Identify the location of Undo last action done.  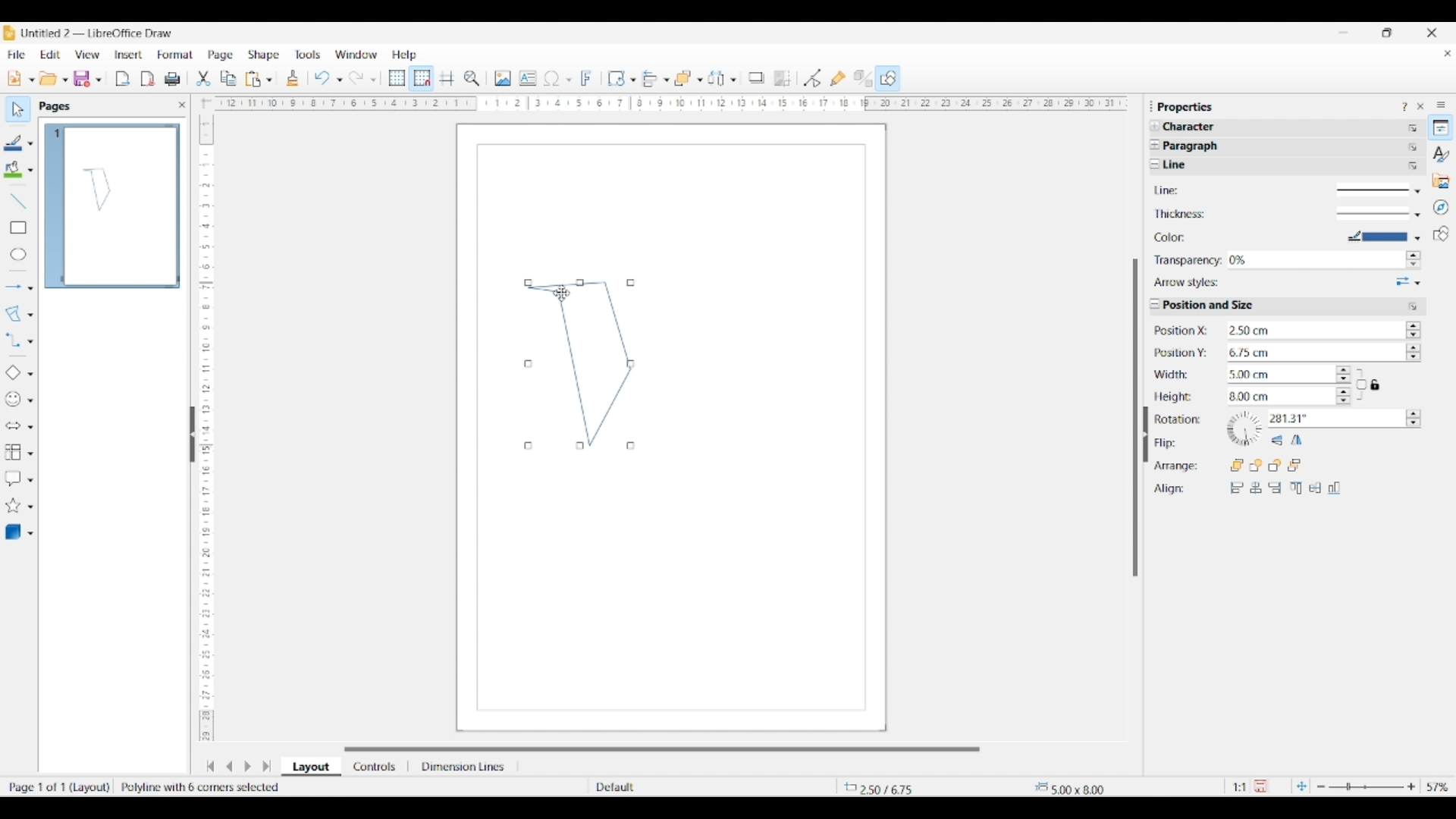
(322, 77).